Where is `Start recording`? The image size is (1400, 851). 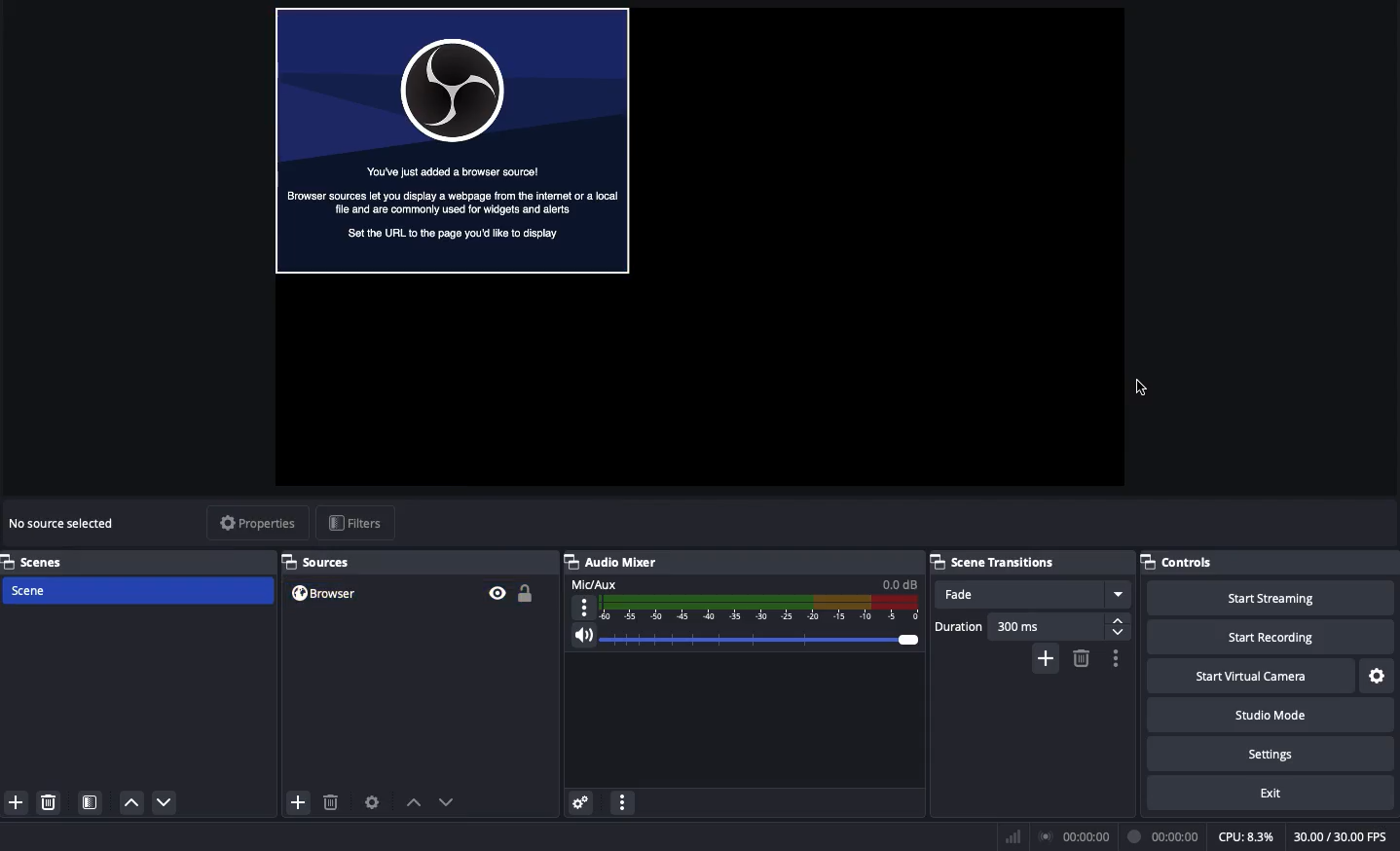
Start recording is located at coordinates (1275, 631).